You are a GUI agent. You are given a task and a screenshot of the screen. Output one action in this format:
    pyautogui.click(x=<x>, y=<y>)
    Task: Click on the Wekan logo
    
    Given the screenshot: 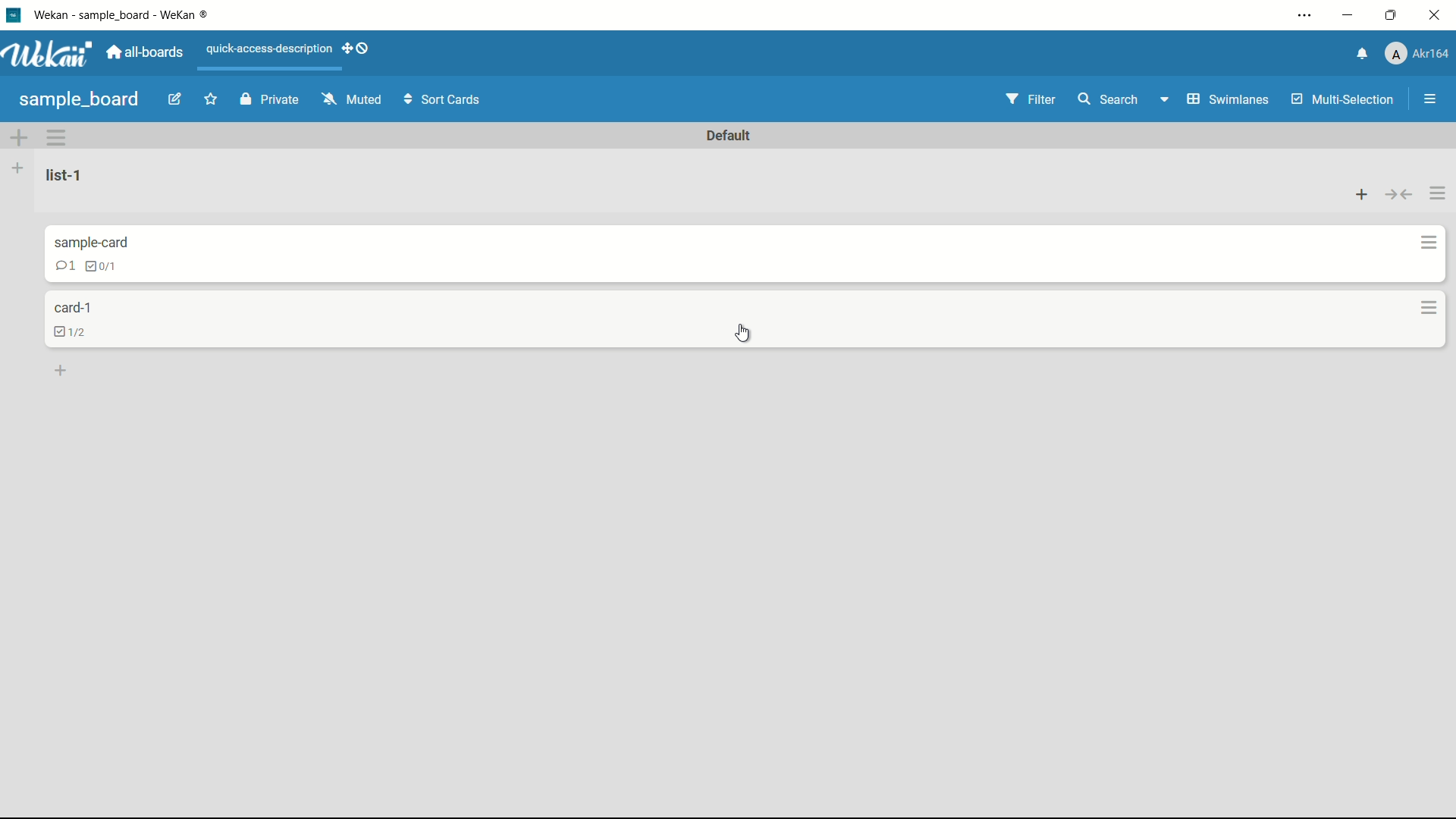 What is the action you would take?
    pyautogui.click(x=47, y=55)
    